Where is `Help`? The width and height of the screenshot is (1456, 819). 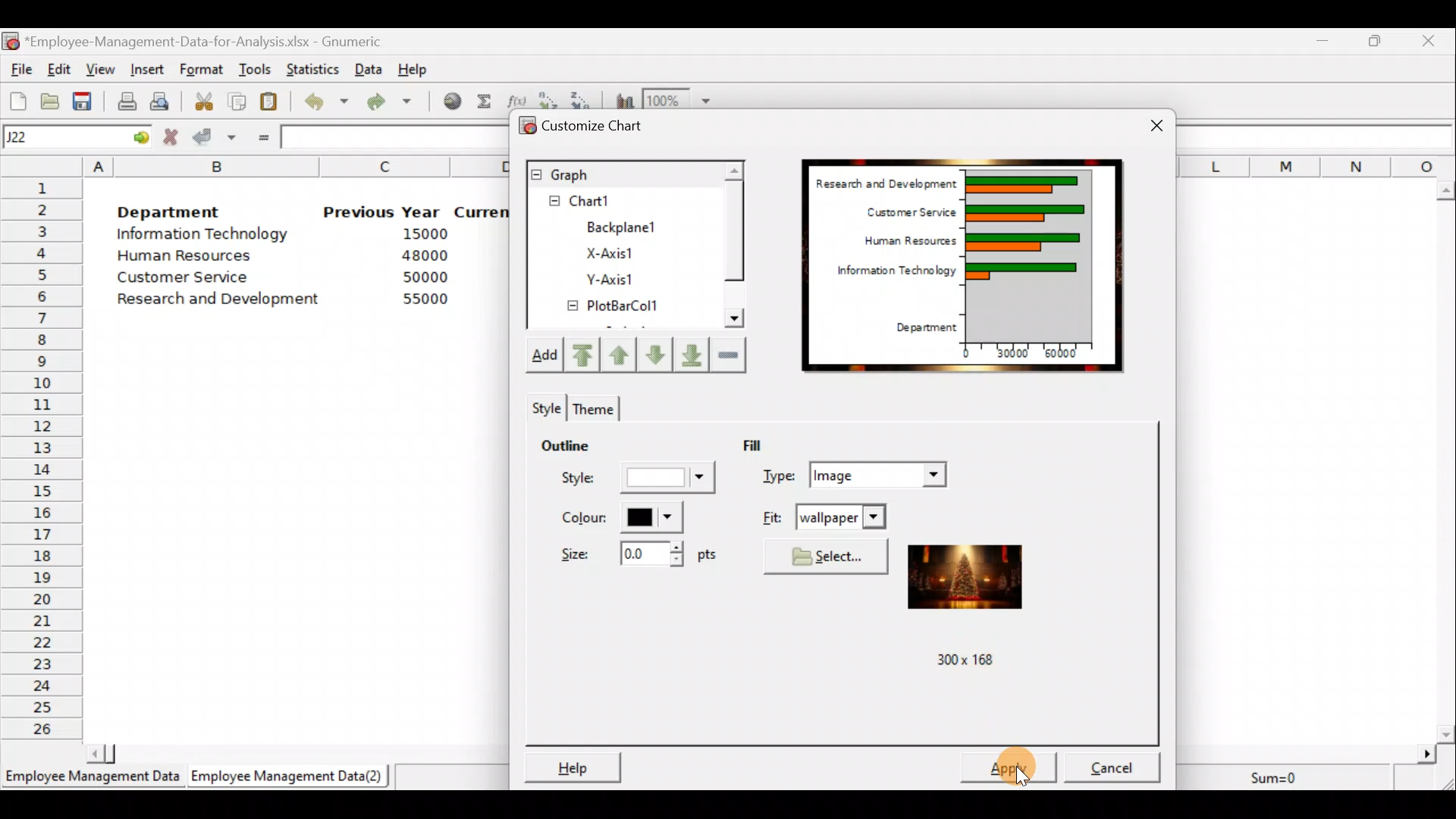 Help is located at coordinates (573, 764).